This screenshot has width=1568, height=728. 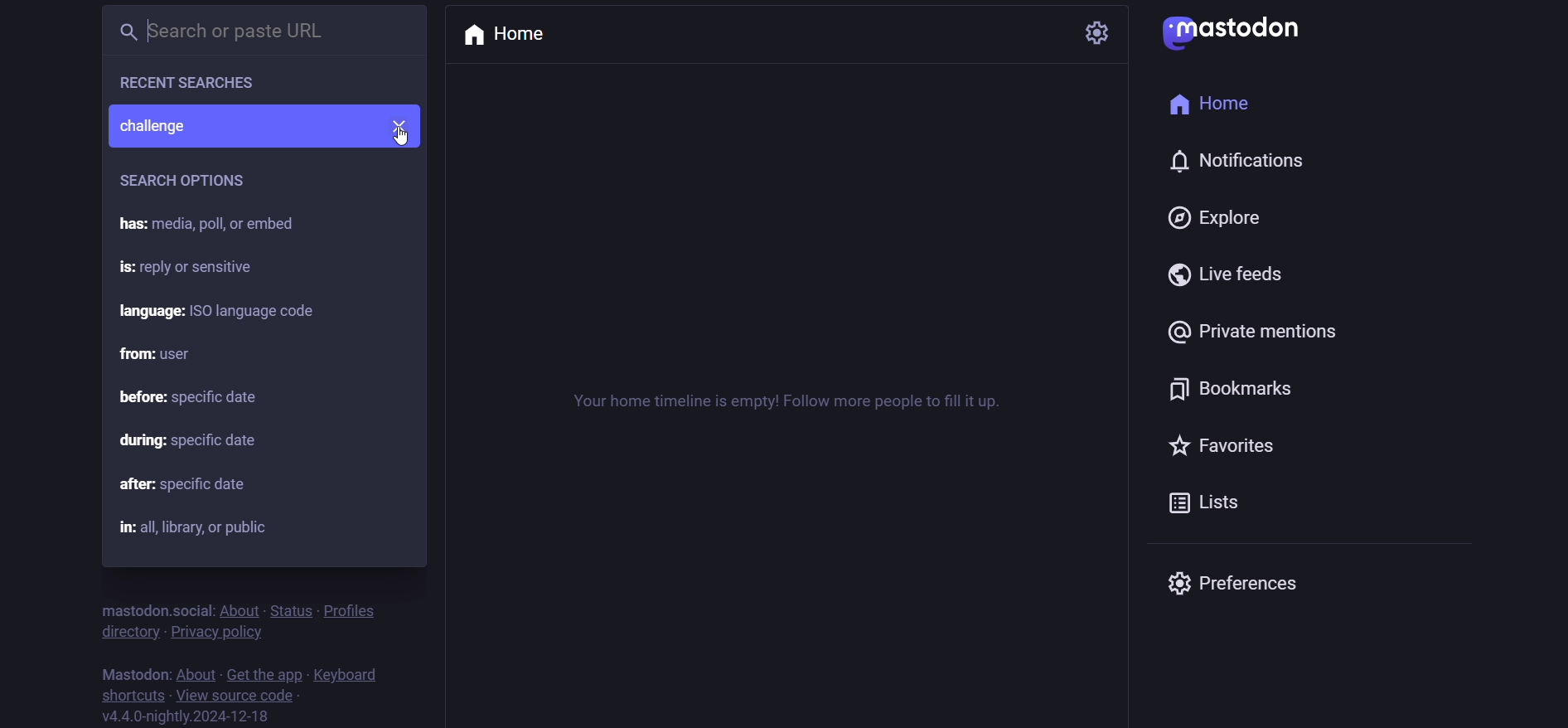 I want to click on challenge, so click(x=242, y=126).